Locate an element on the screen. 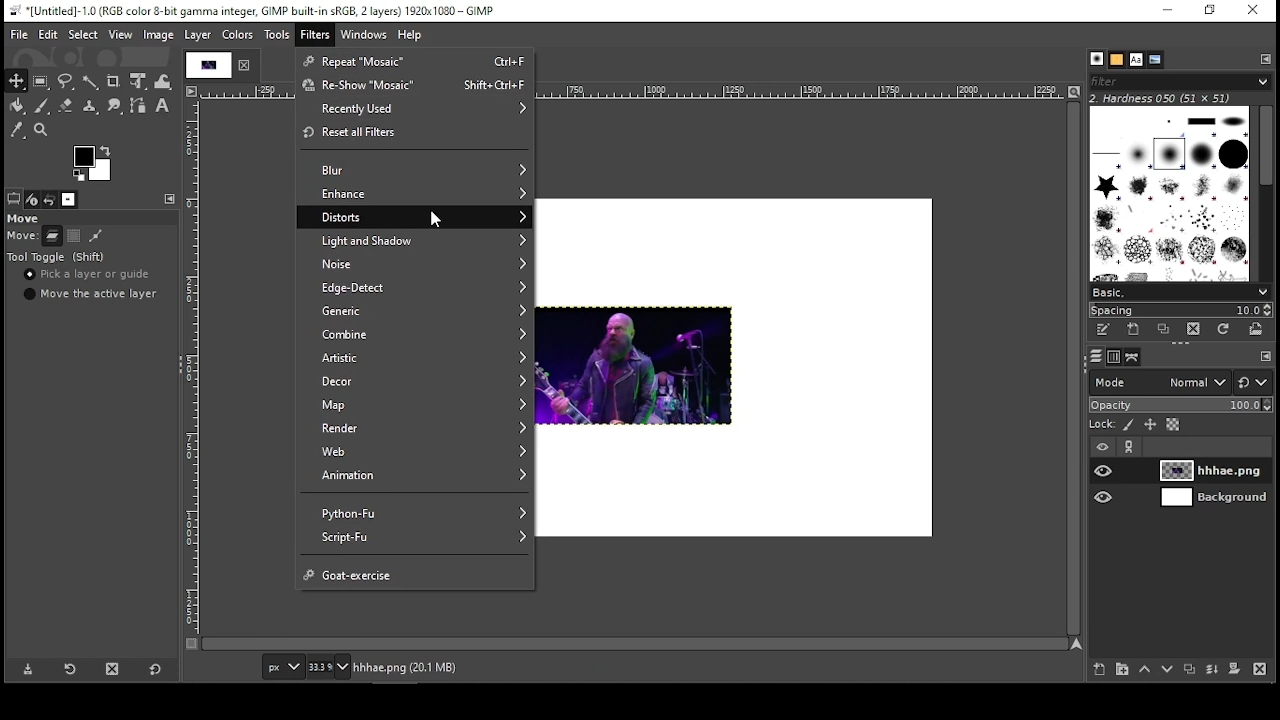 The width and height of the screenshot is (1280, 720). move tool is located at coordinates (17, 79).